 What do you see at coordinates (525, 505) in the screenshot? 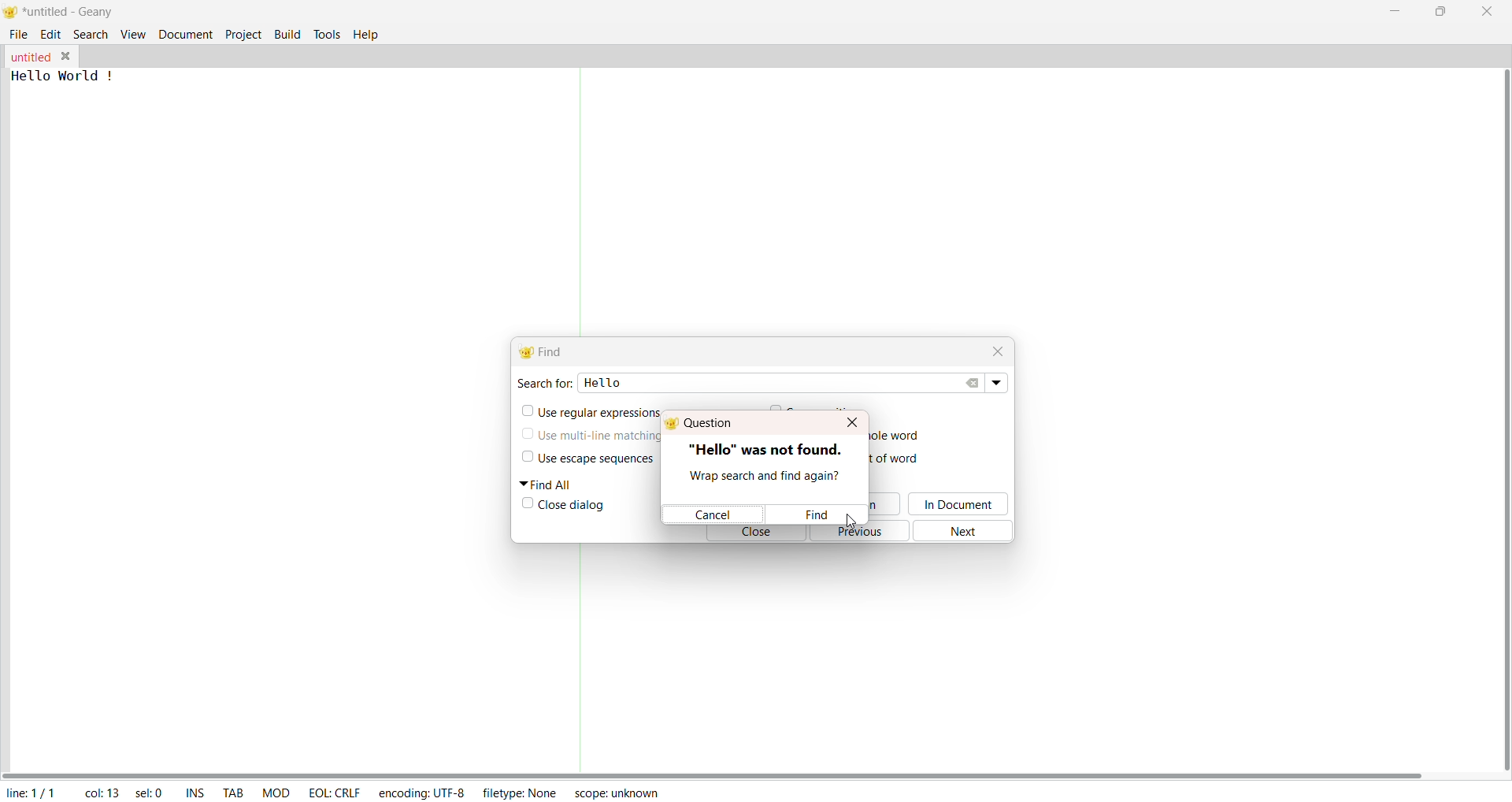
I see `Check box` at bounding box center [525, 505].